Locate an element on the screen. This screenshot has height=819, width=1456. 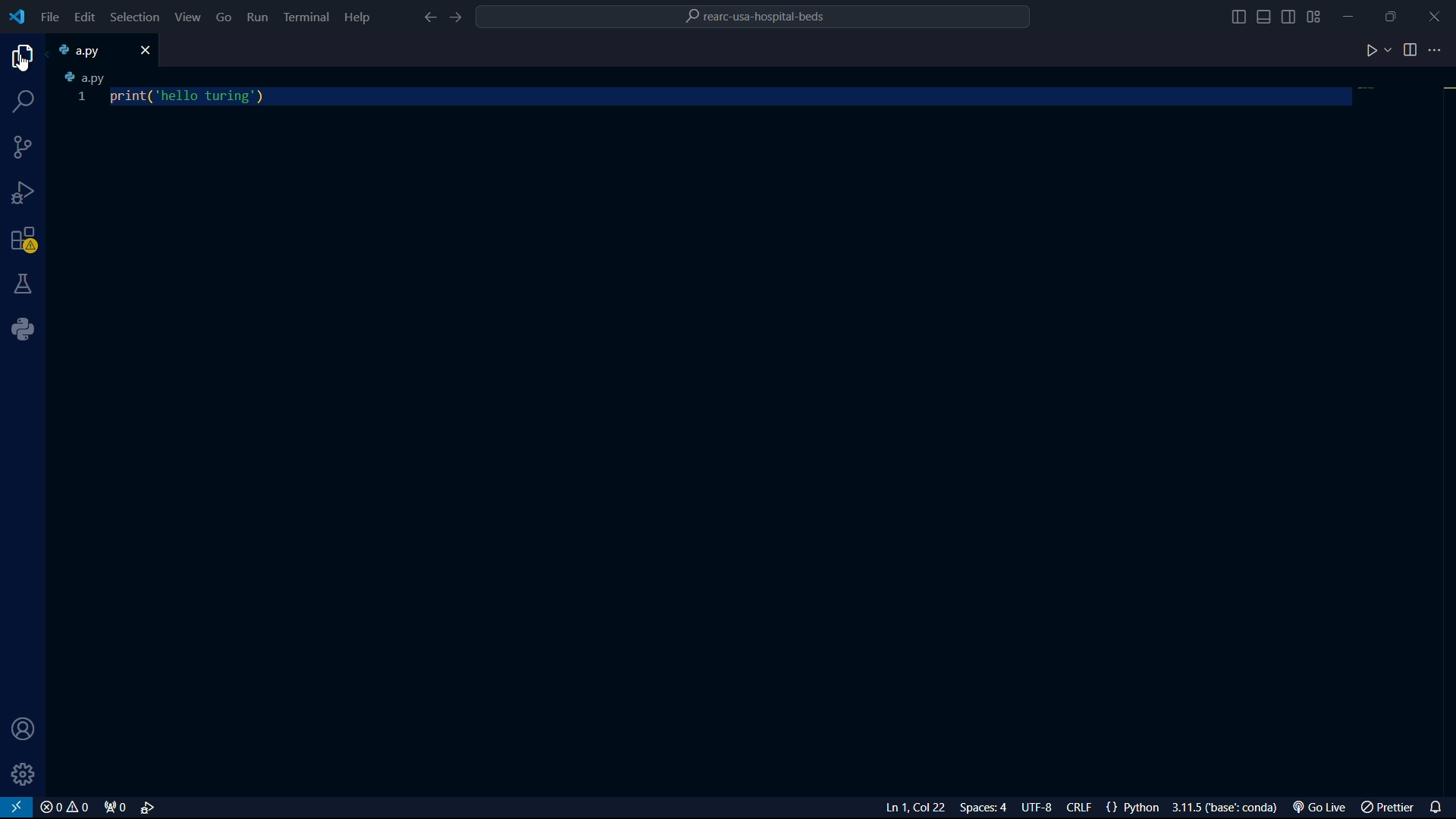
explorer is located at coordinates (19, 59).